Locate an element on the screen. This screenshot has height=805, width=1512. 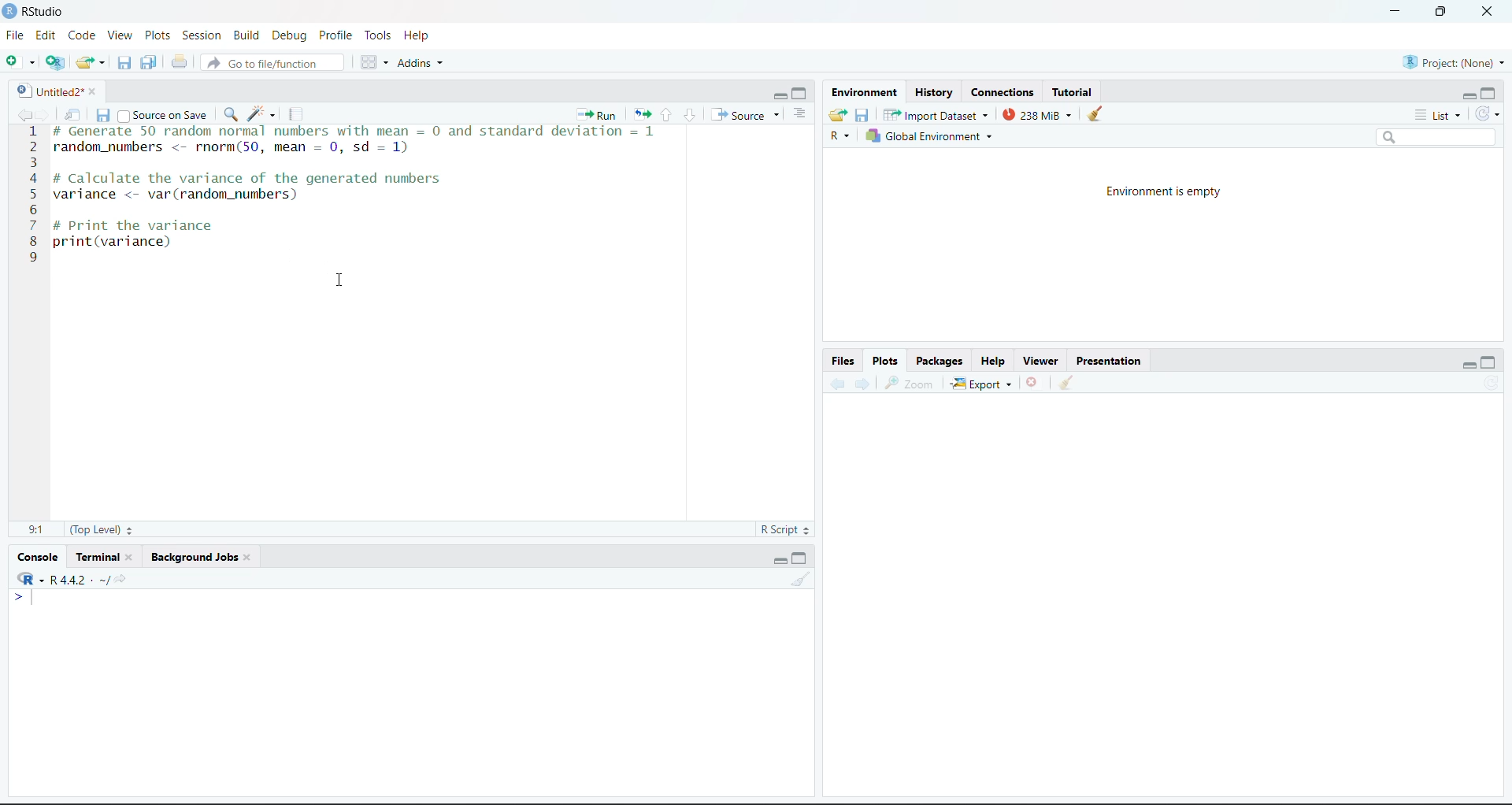
print is located at coordinates (180, 61).